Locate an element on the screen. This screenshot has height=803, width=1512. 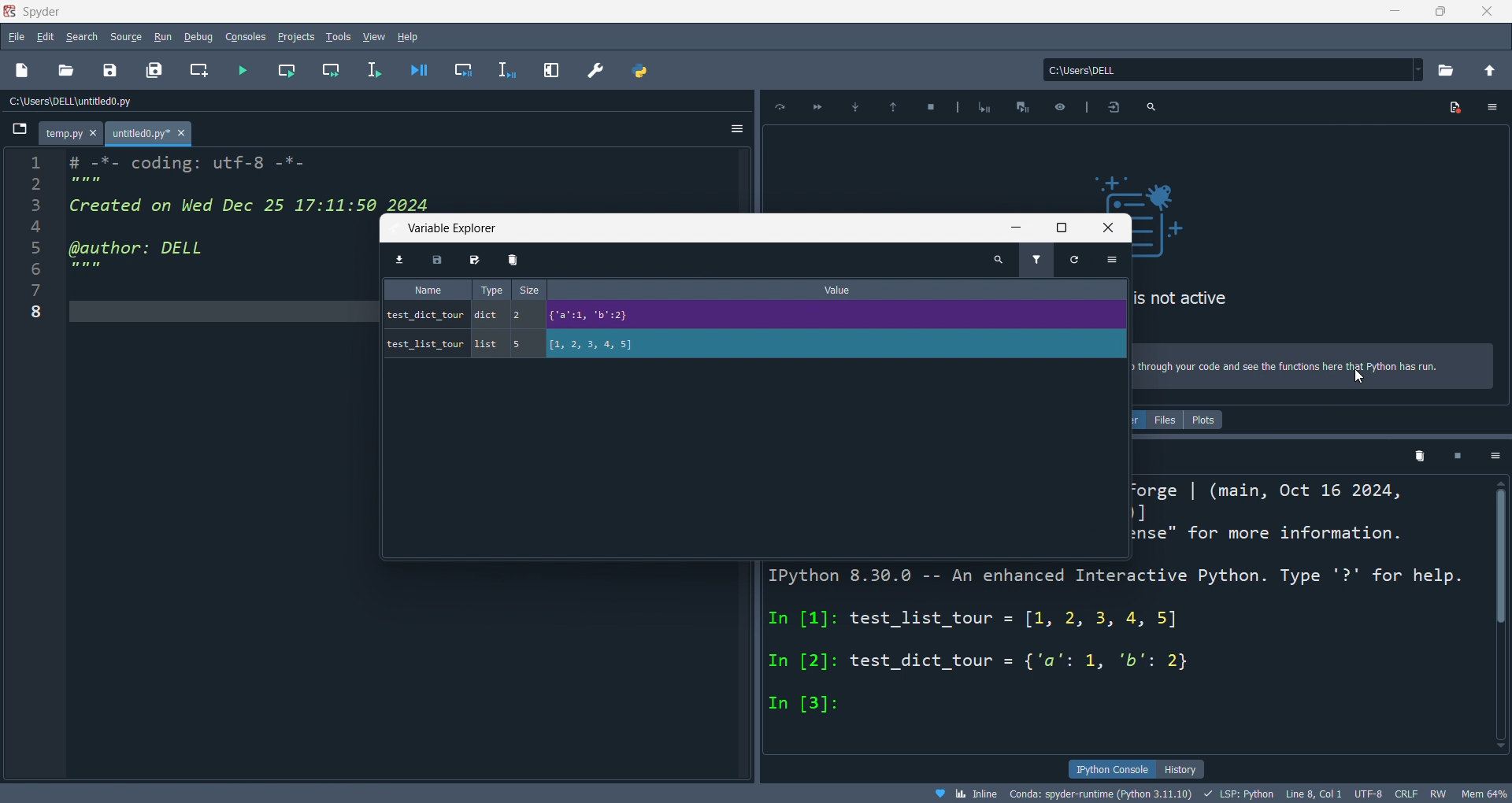
icon is located at coordinates (935, 109).